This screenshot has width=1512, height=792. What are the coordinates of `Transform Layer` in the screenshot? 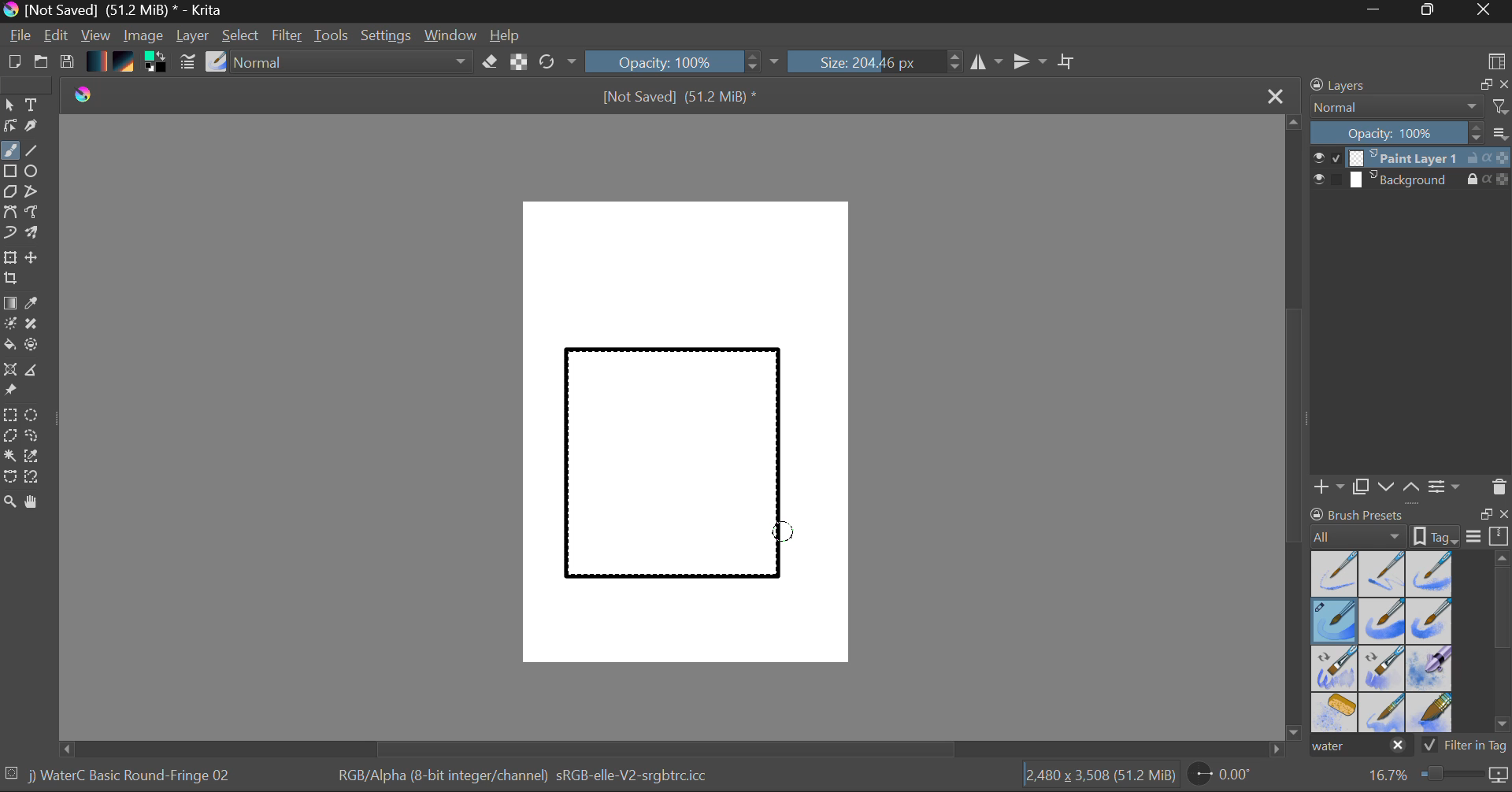 It's located at (9, 256).